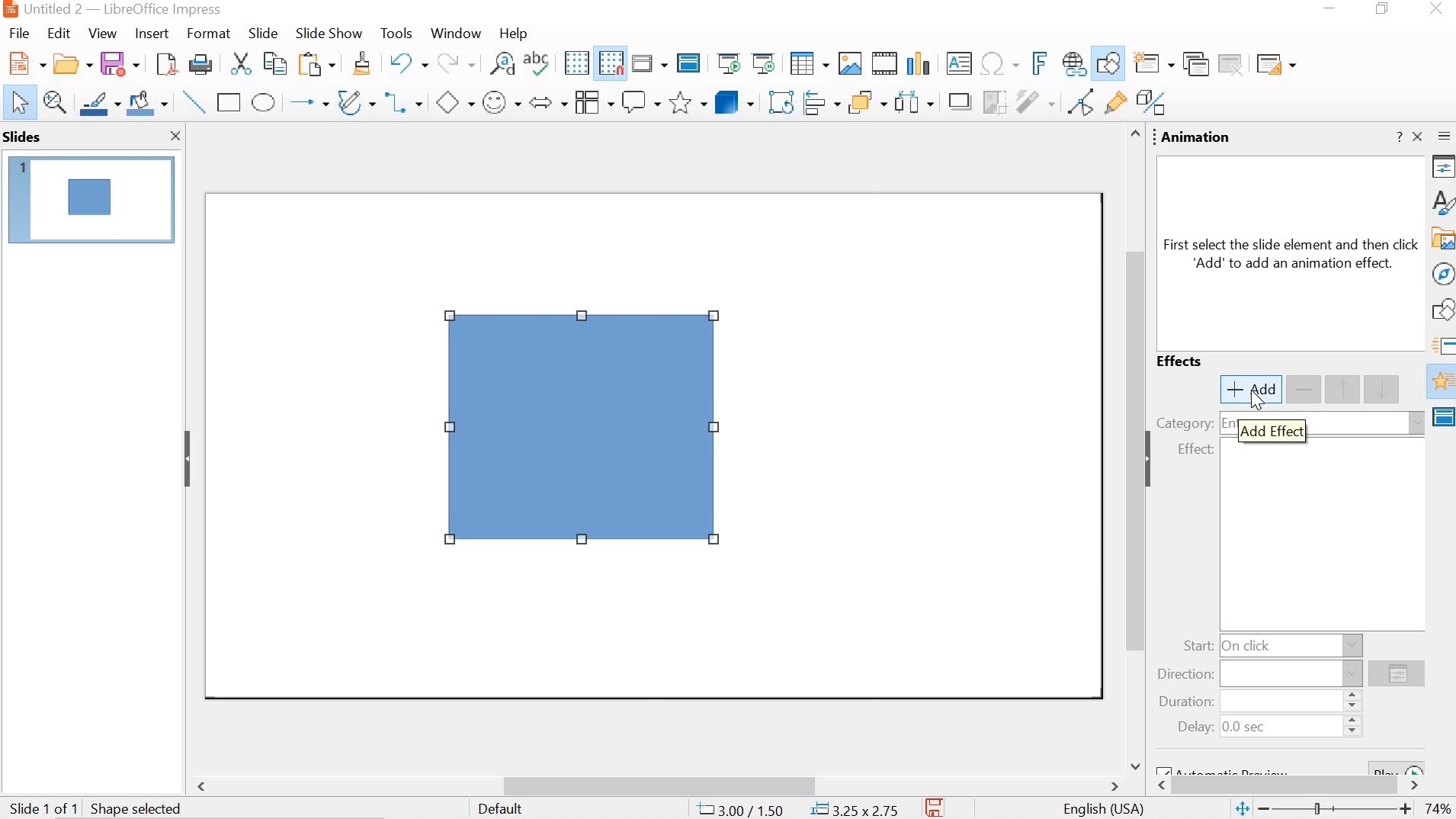 This screenshot has height=819, width=1456. I want to click on connectors, so click(402, 99).